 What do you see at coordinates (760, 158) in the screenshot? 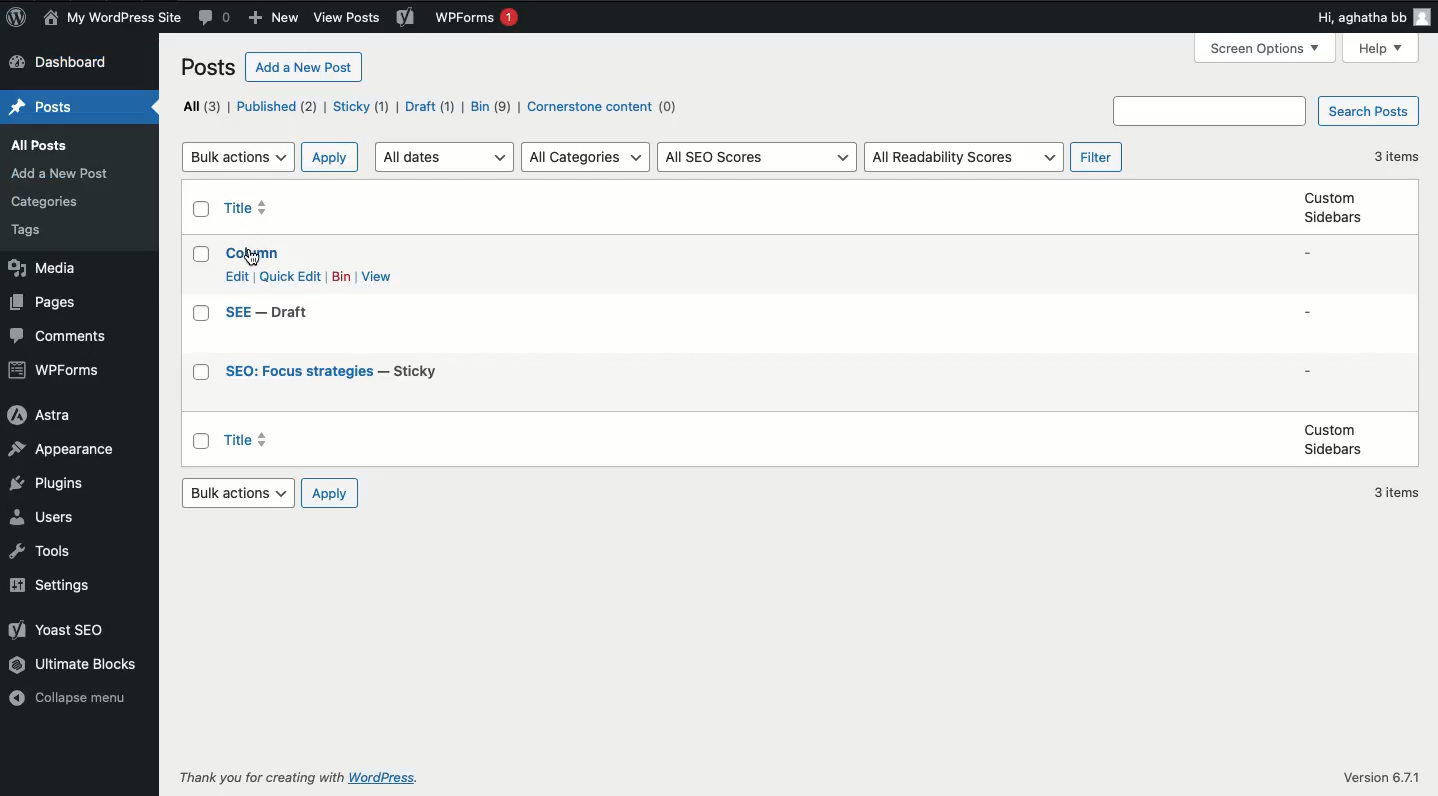
I see `All SEO scores` at bounding box center [760, 158].